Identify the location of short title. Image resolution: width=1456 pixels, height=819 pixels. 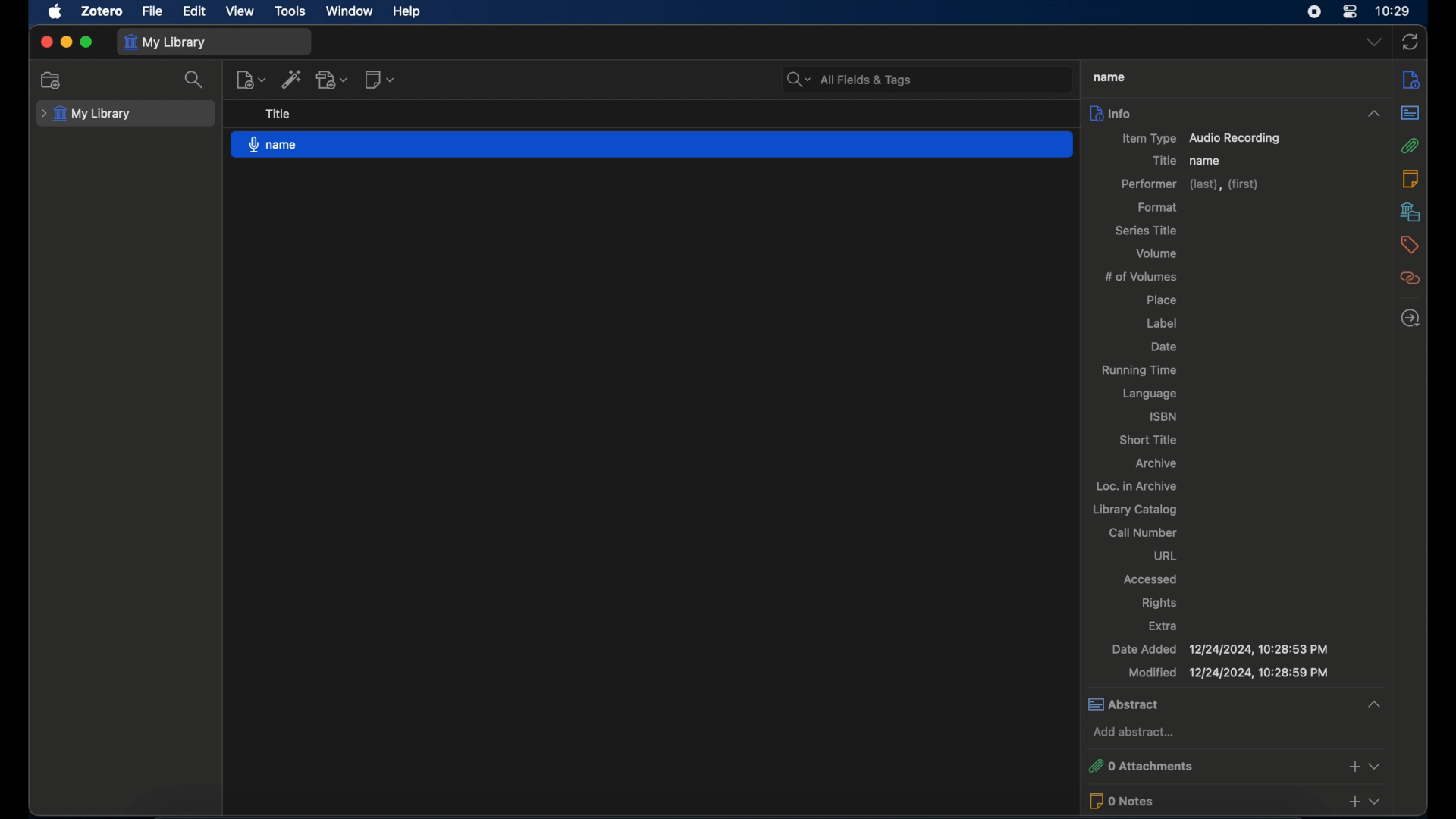
(1150, 440).